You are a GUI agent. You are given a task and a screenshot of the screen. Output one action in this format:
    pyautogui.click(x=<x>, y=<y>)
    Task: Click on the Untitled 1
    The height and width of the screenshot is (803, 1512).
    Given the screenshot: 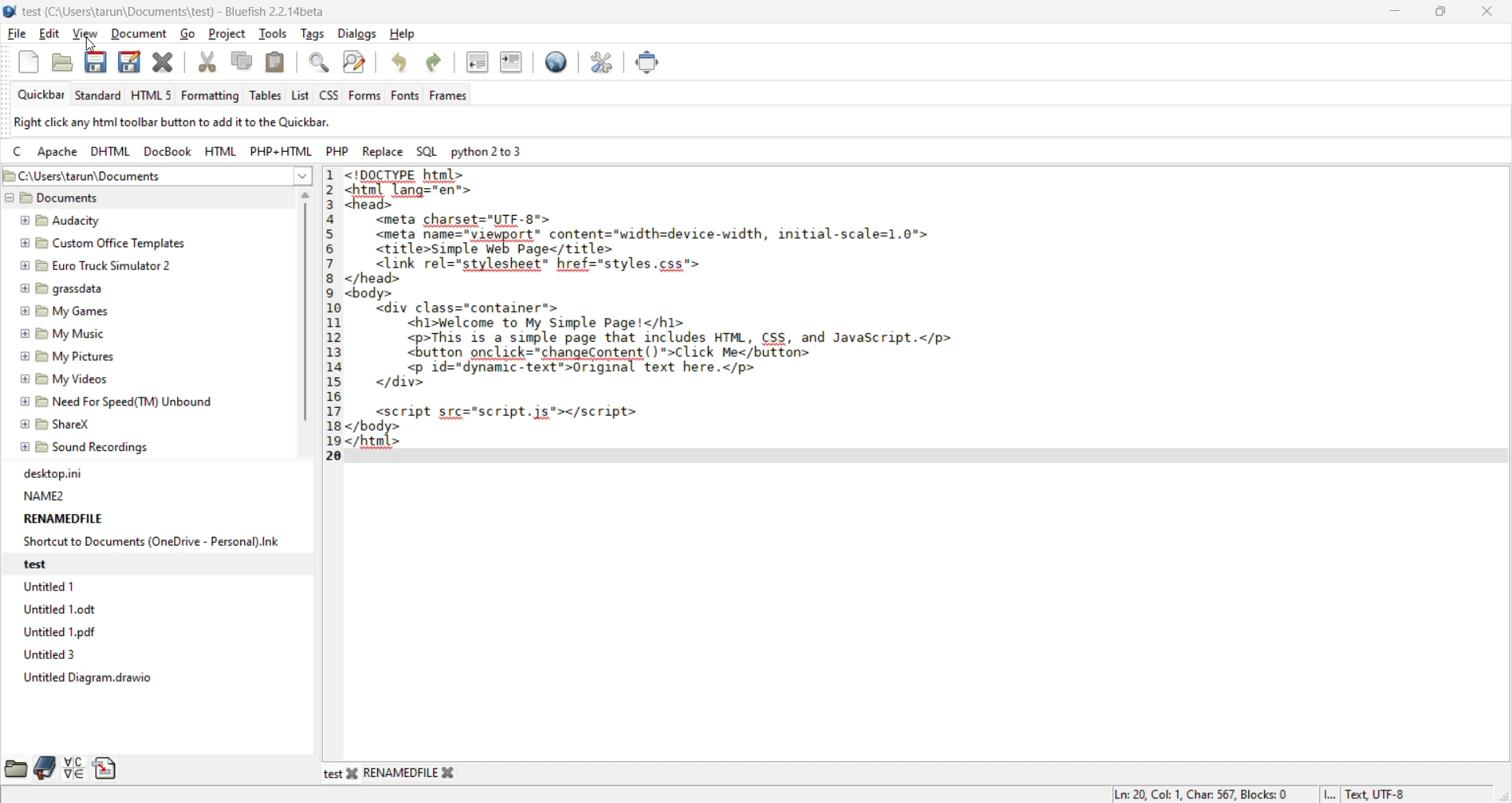 What is the action you would take?
    pyautogui.click(x=50, y=587)
    